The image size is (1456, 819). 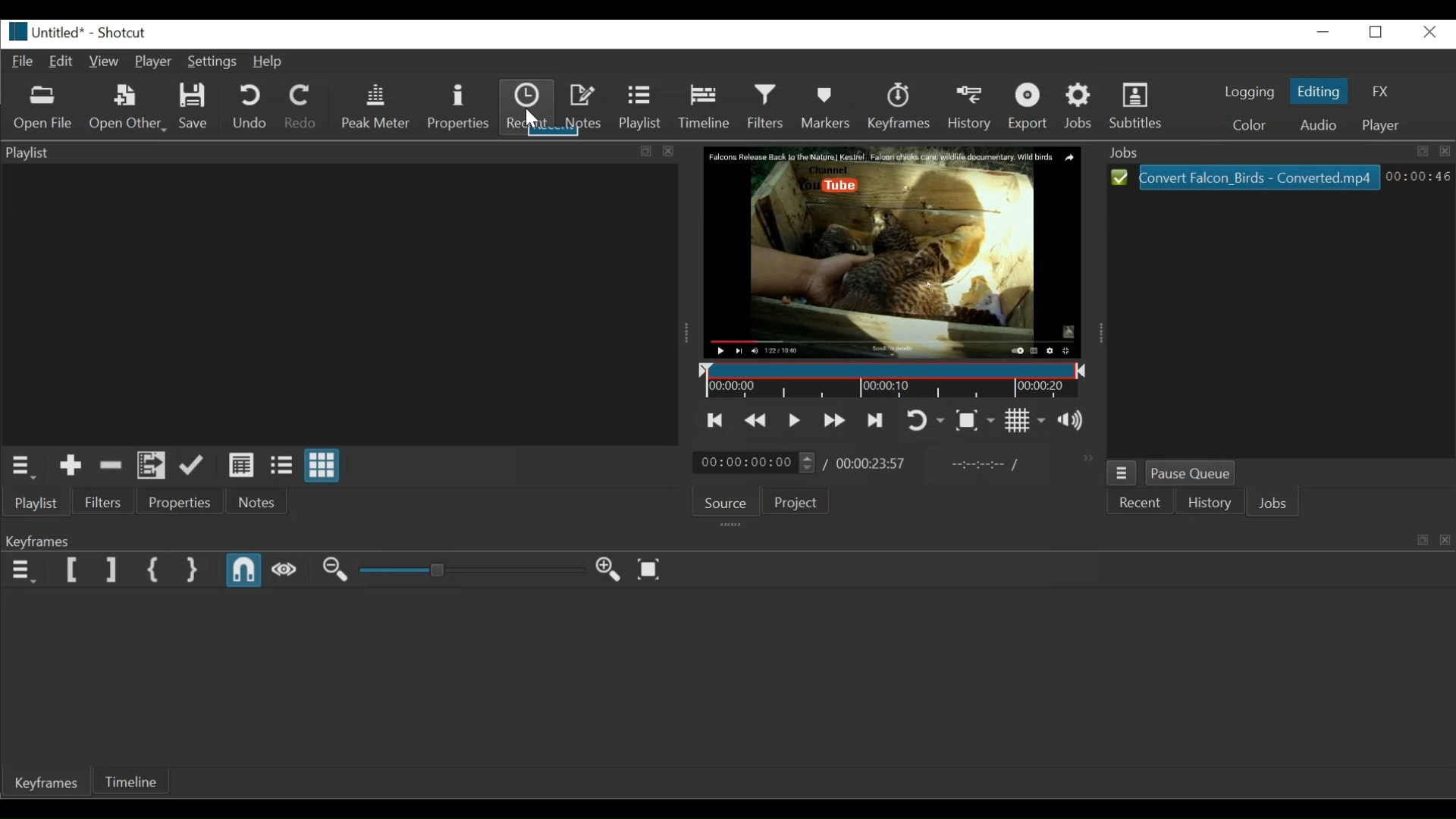 I want to click on Pause Queue, so click(x=1189, y=472).